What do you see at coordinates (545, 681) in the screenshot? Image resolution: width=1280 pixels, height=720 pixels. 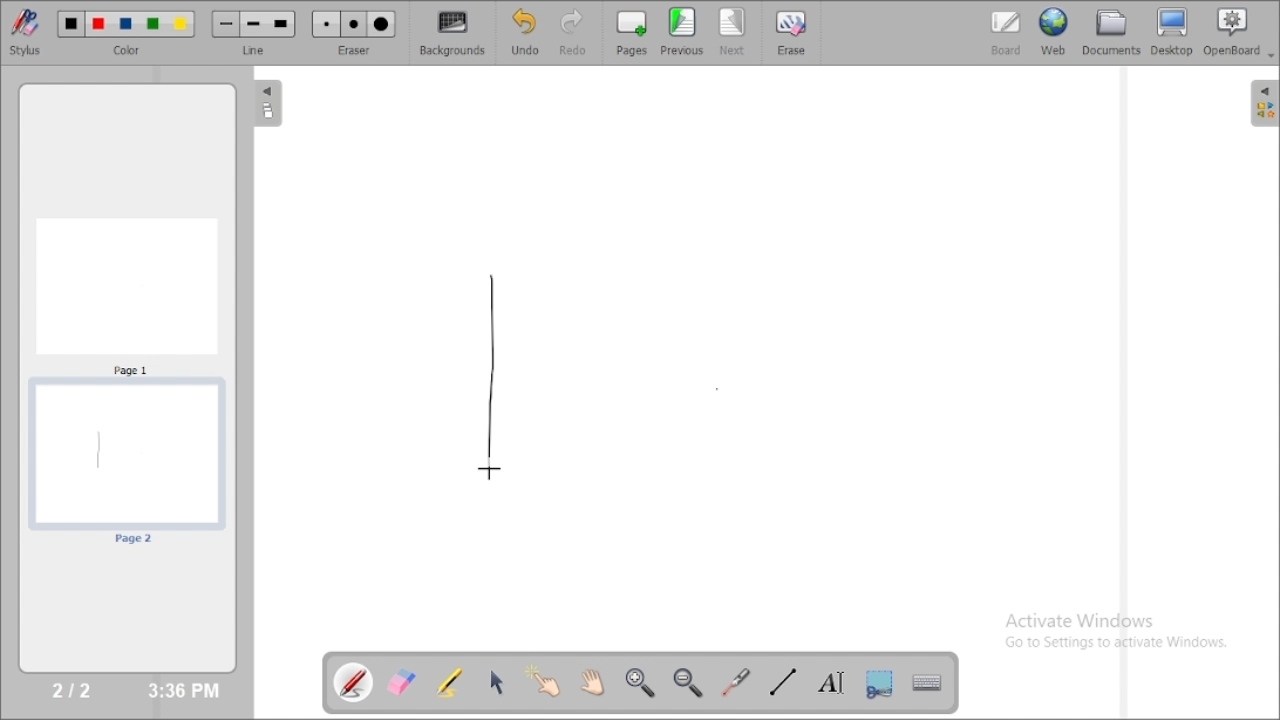 I see `interact with items` at bounding box center [545, 681].